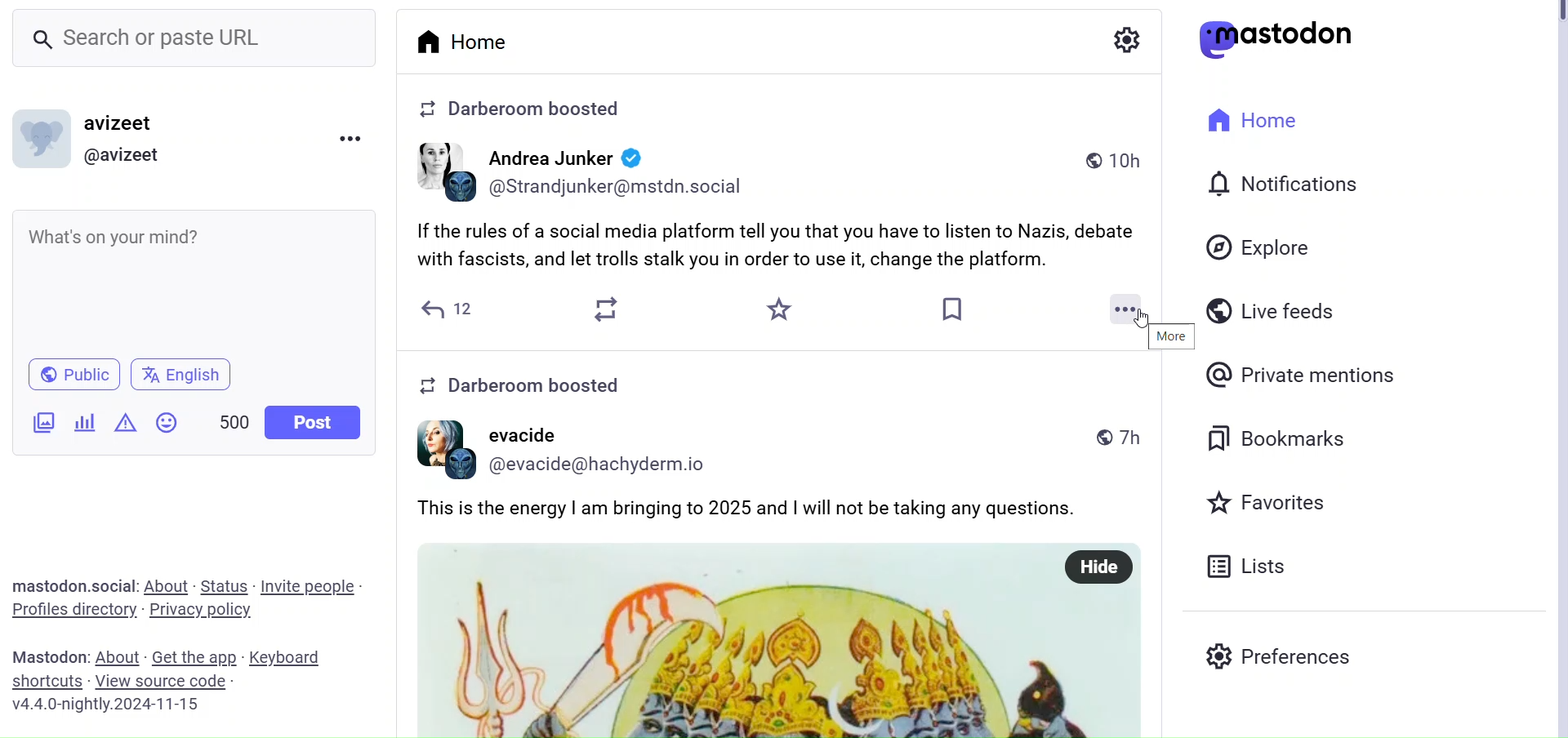  What do you see at coordinates (773, 507) in the screenshot?
I see `post` at bounding box center [773, 507].